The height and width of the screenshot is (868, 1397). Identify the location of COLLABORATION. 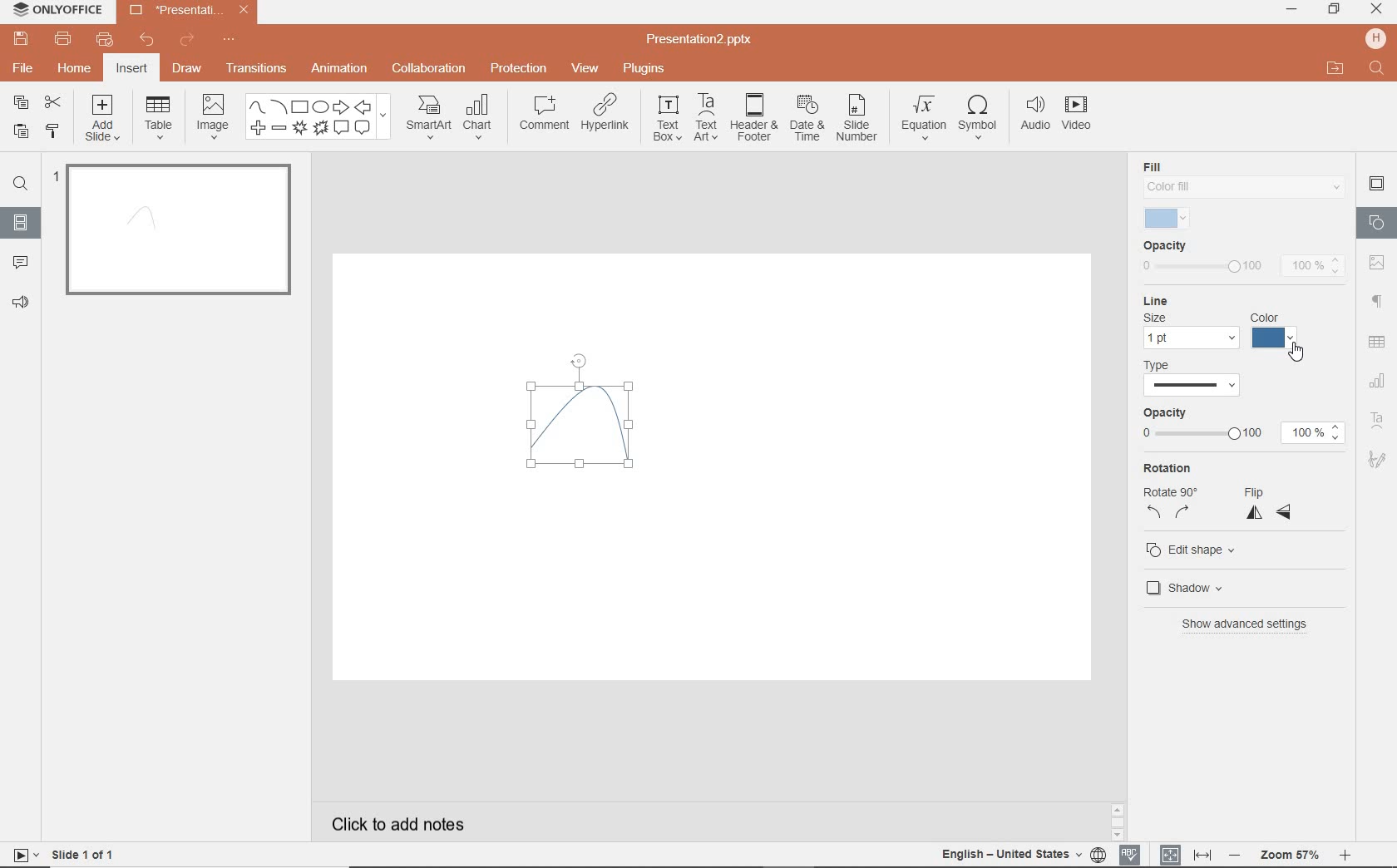
(429, 67).